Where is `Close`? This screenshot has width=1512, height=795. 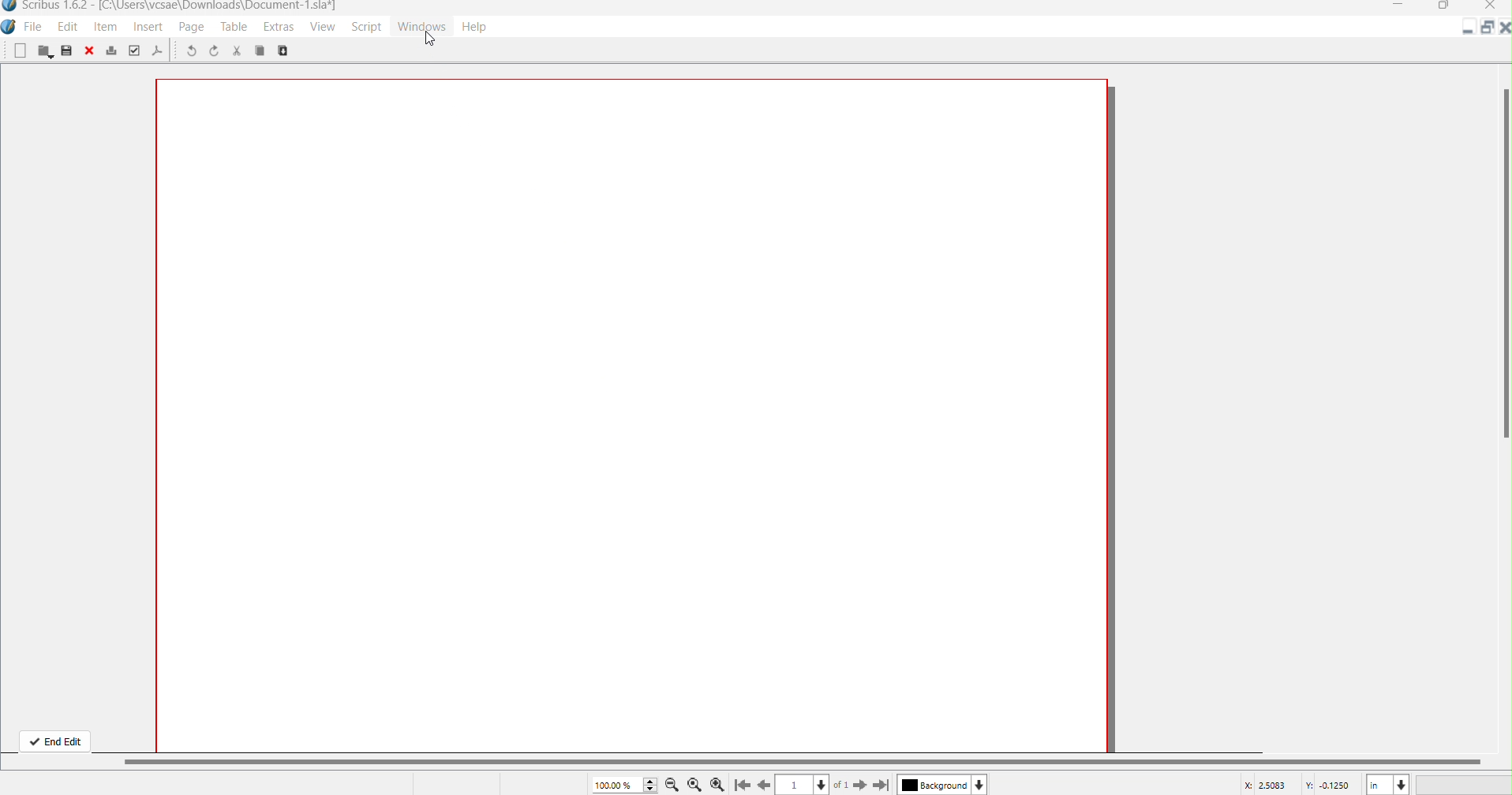 Close is located at coordinates (1492, 7).